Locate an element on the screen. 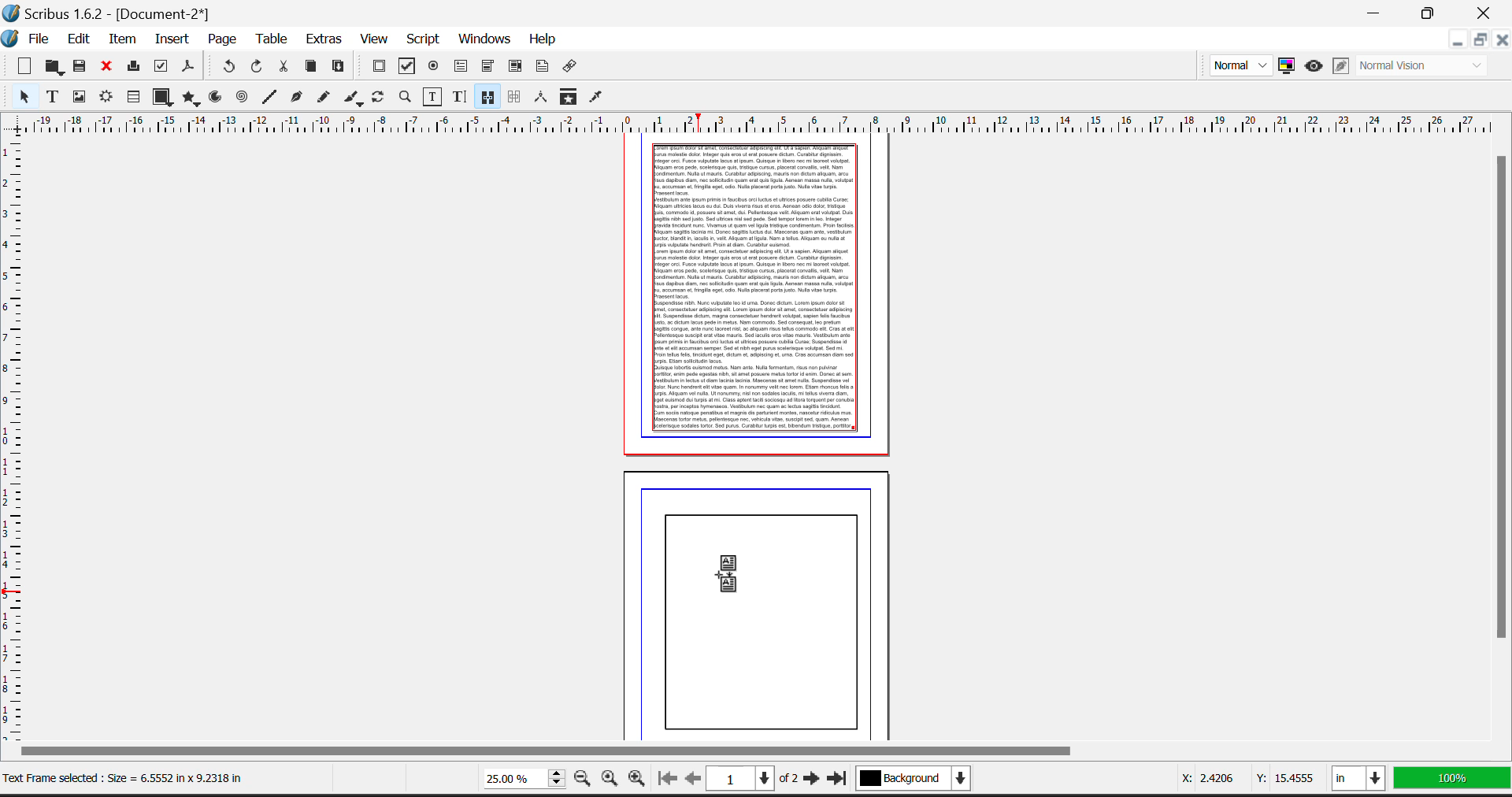 The height and width of the screenshot is (797, 1512). Paste is located at coordinates (339, 68).